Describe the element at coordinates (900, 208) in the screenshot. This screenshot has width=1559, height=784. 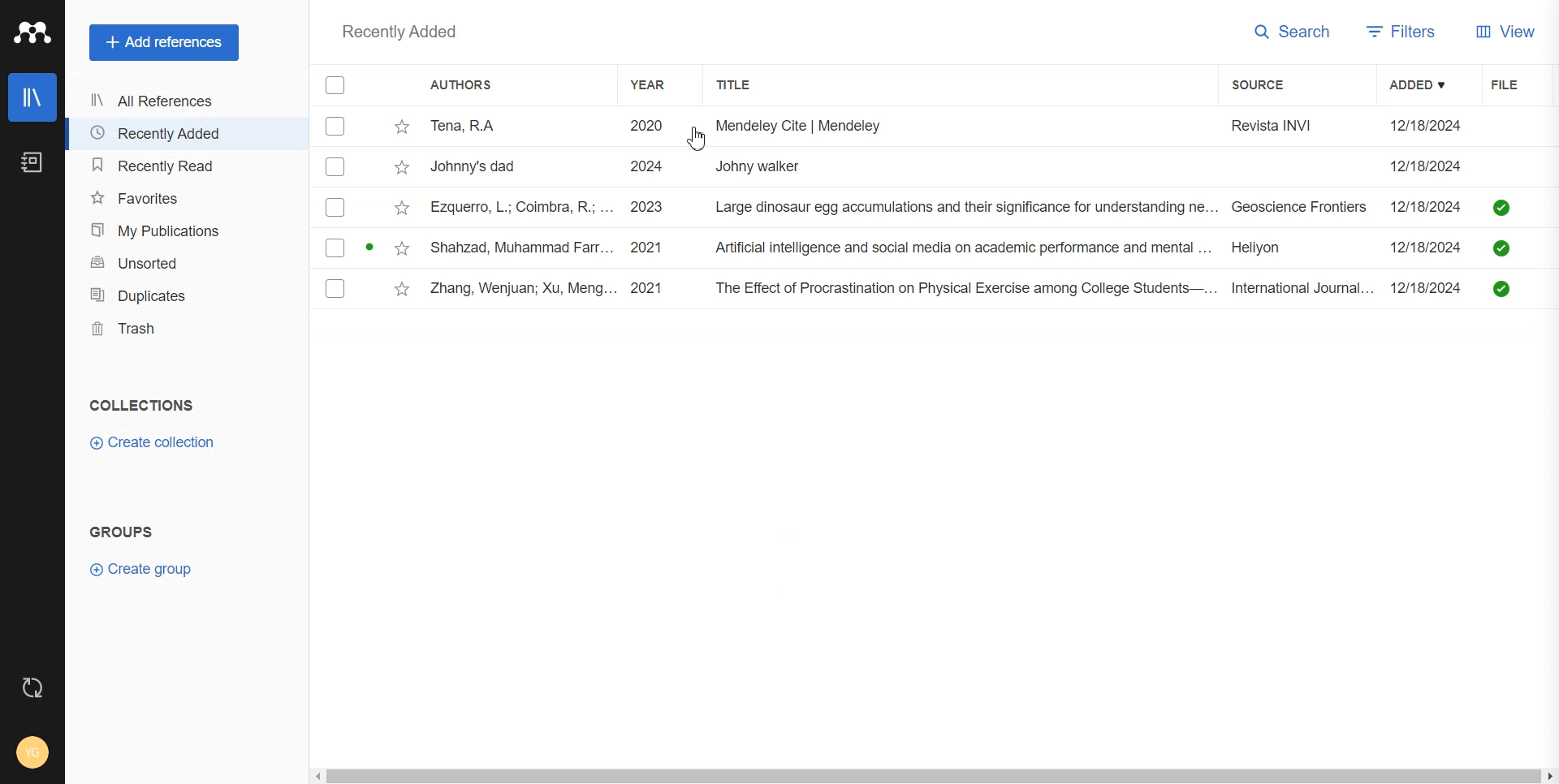
I see `ezquerro, L.; Coimbra, R.; ... 2023 Large dinosaur egg accumulations and their significance for understanding ne... Geoscience Frontiers` at that location.